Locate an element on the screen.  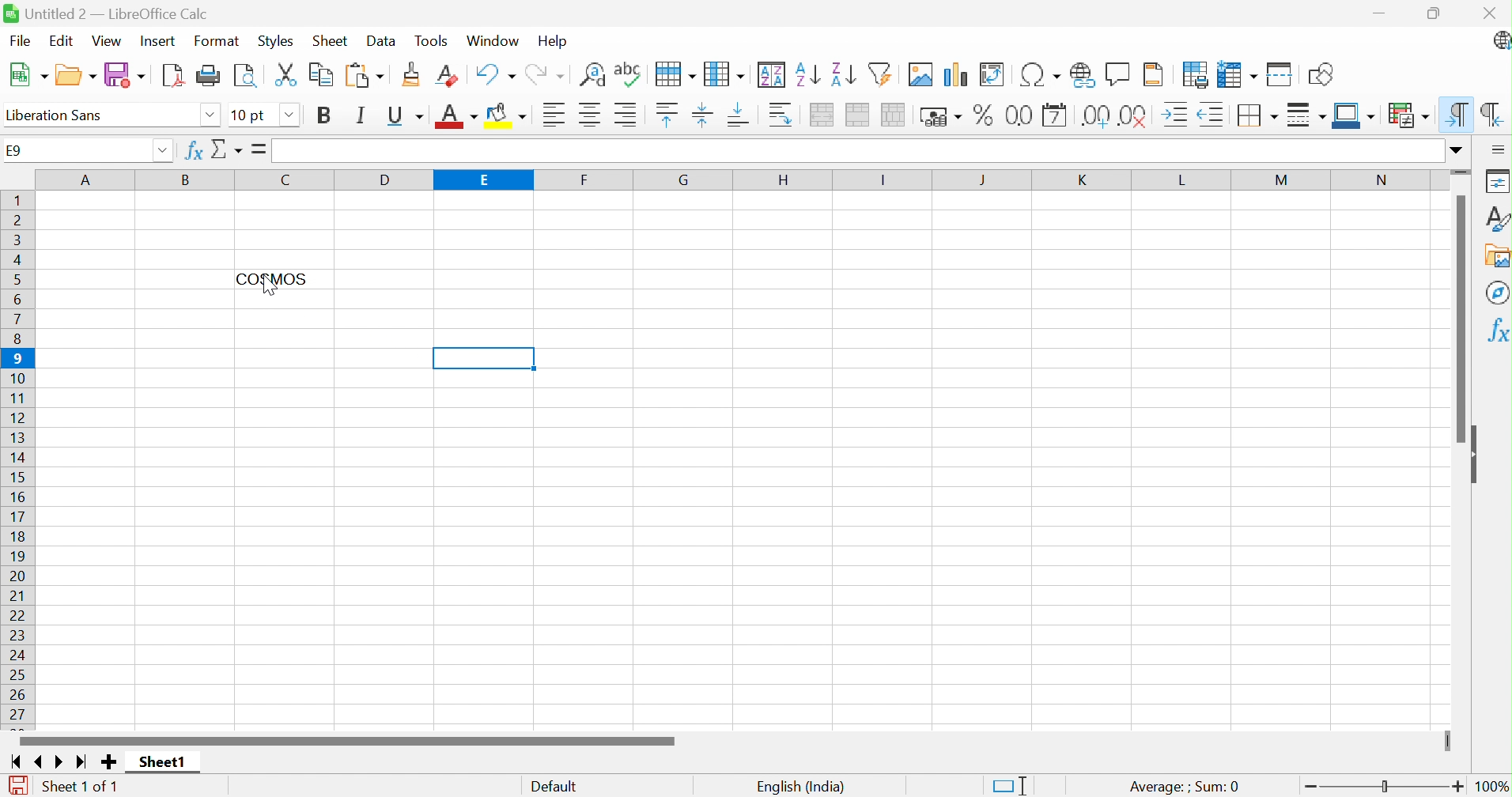
Input line is located at coordinates (859, 149).